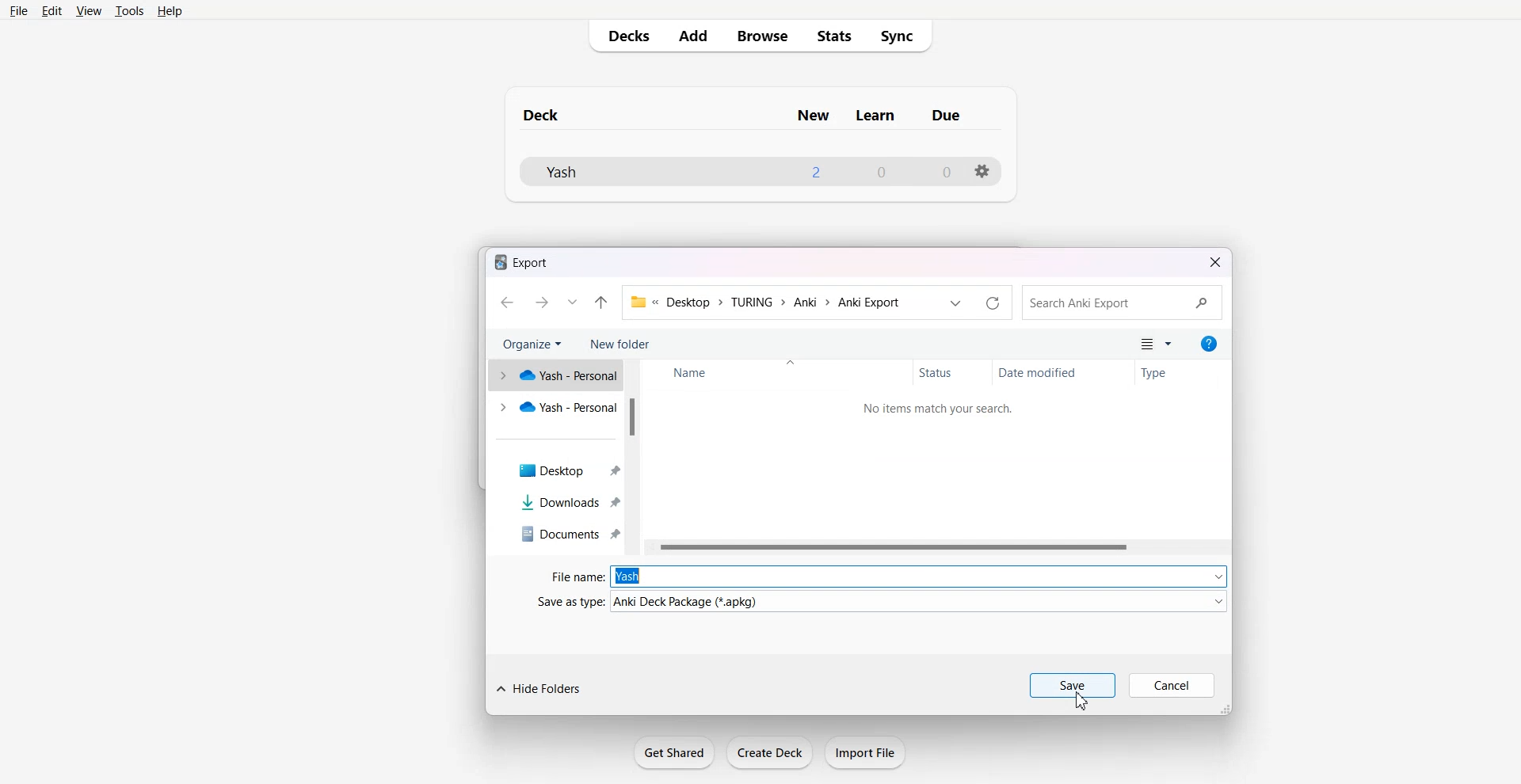 Image resolution: width=1521 pixels, height=784 pixels. Describe the element at coordinates (947, 116) in the screenshot. I see `due` at that location.